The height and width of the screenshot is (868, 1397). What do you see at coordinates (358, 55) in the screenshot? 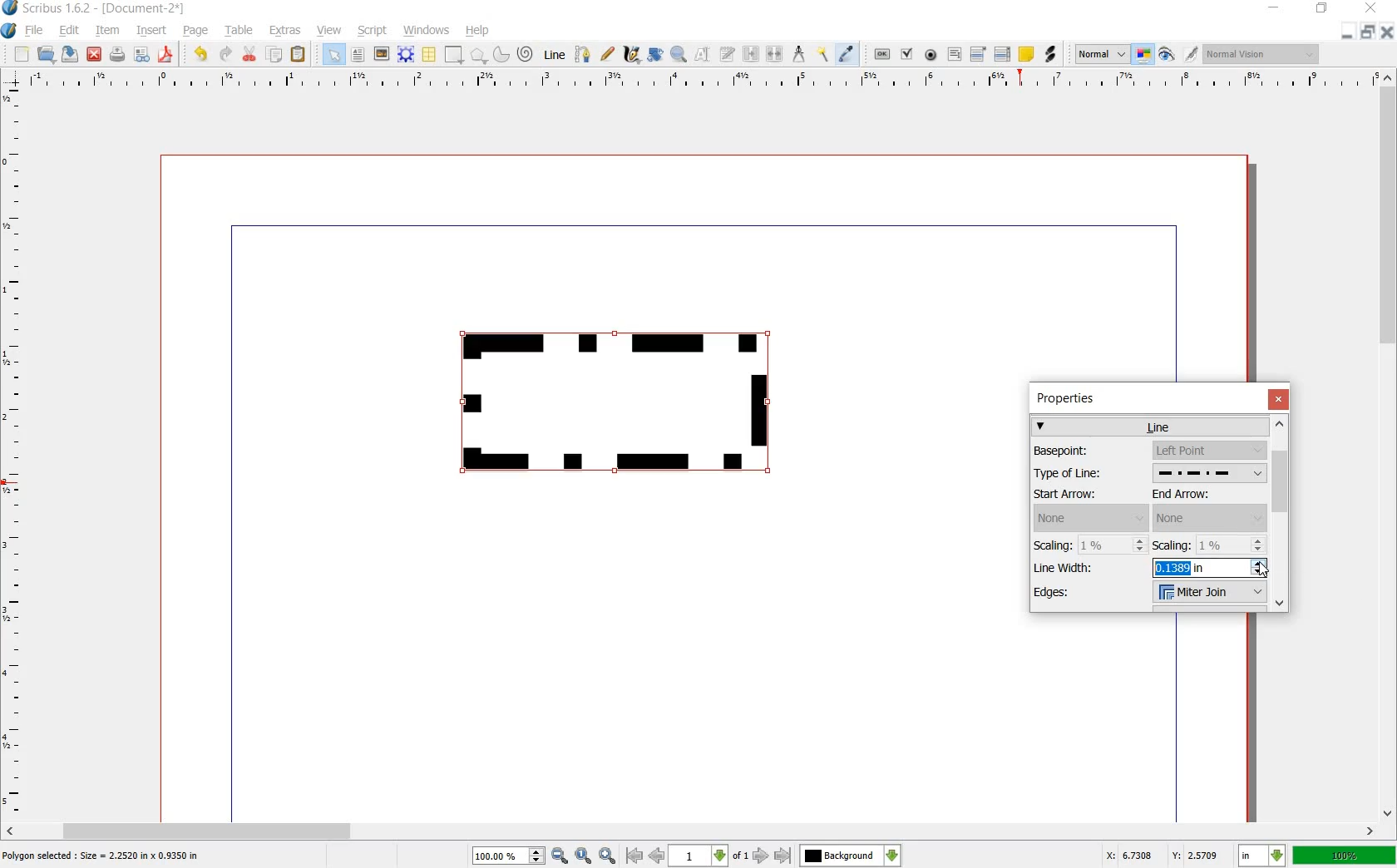
I see `TEXT FRAME` at bounding box center [358, 55].